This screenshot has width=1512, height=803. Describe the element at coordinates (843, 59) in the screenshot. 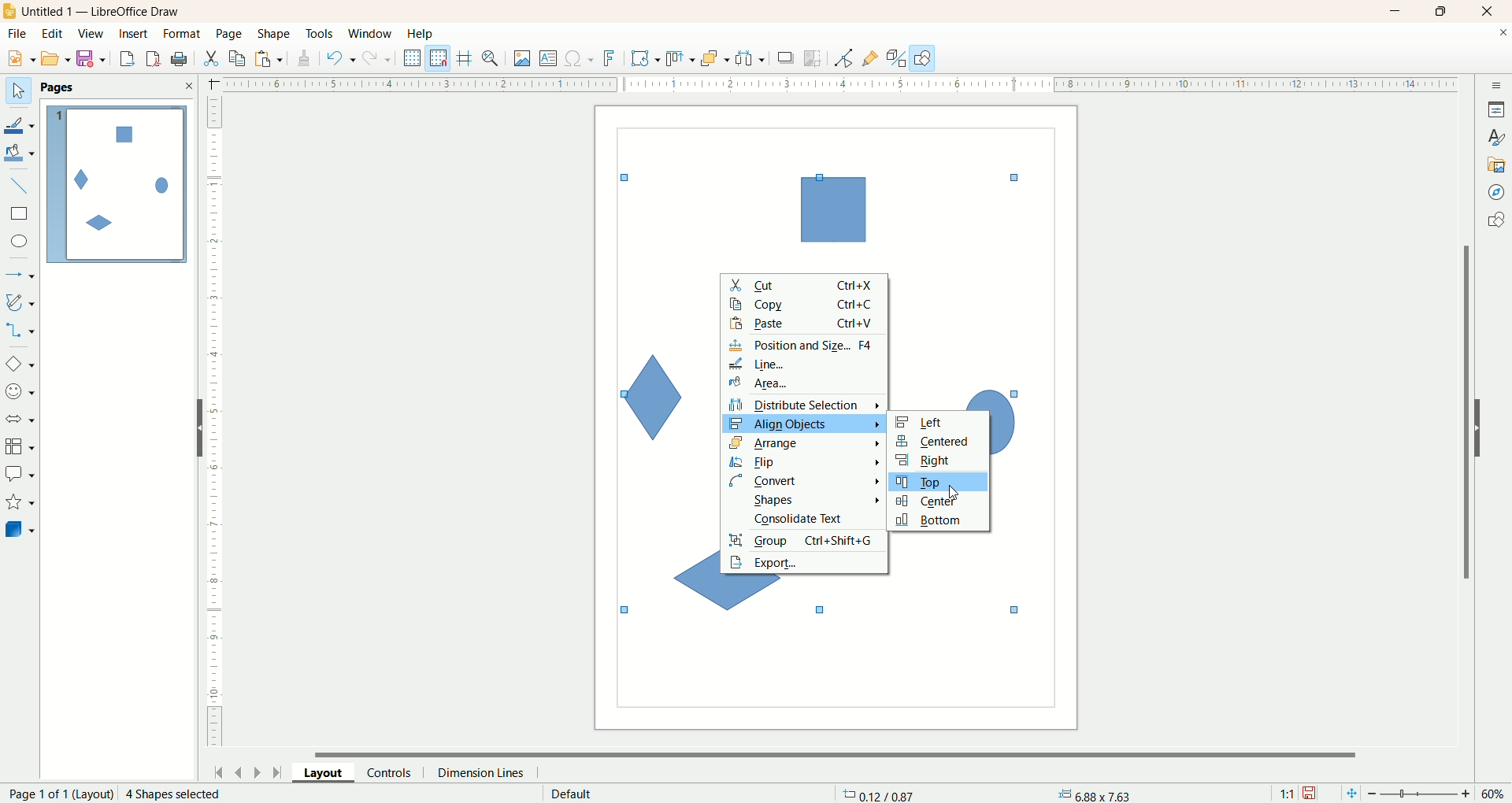

I see `point edit mode` at that location.